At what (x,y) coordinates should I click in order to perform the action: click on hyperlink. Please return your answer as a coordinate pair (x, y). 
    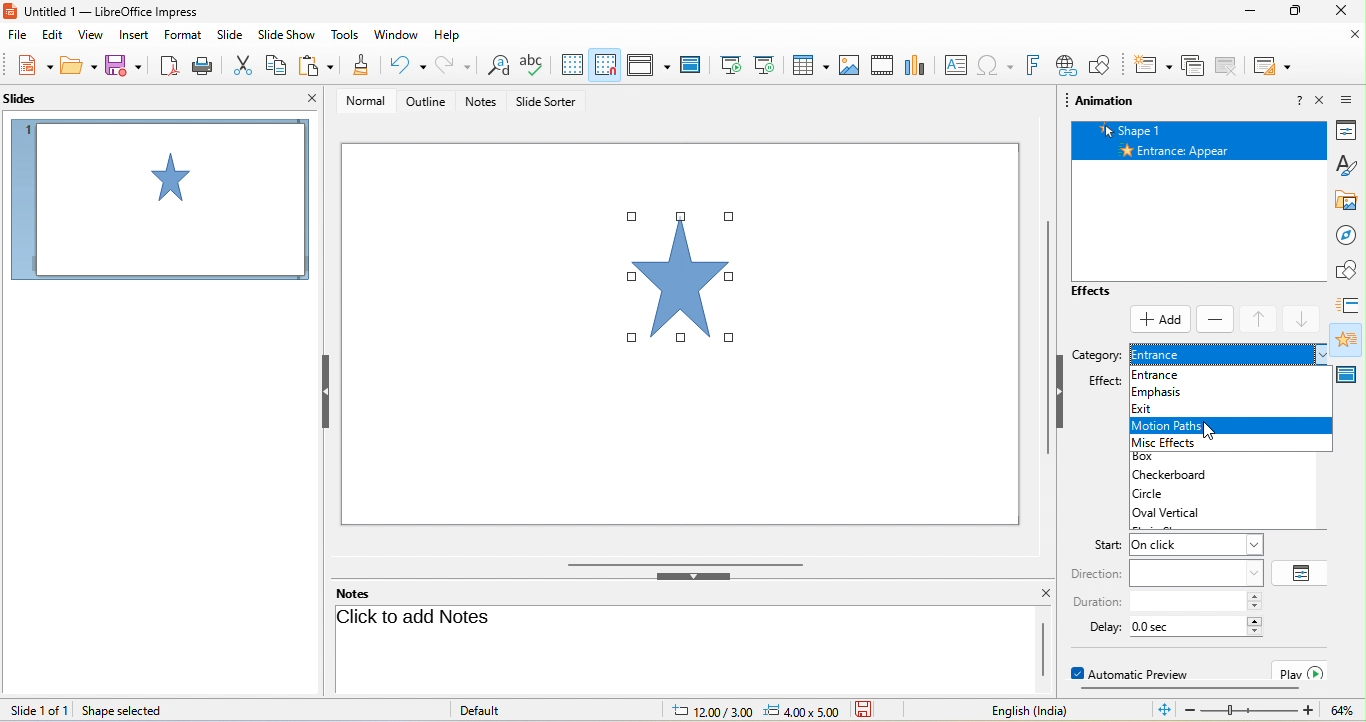
    Looking at the image, I should click on (1066, 65).